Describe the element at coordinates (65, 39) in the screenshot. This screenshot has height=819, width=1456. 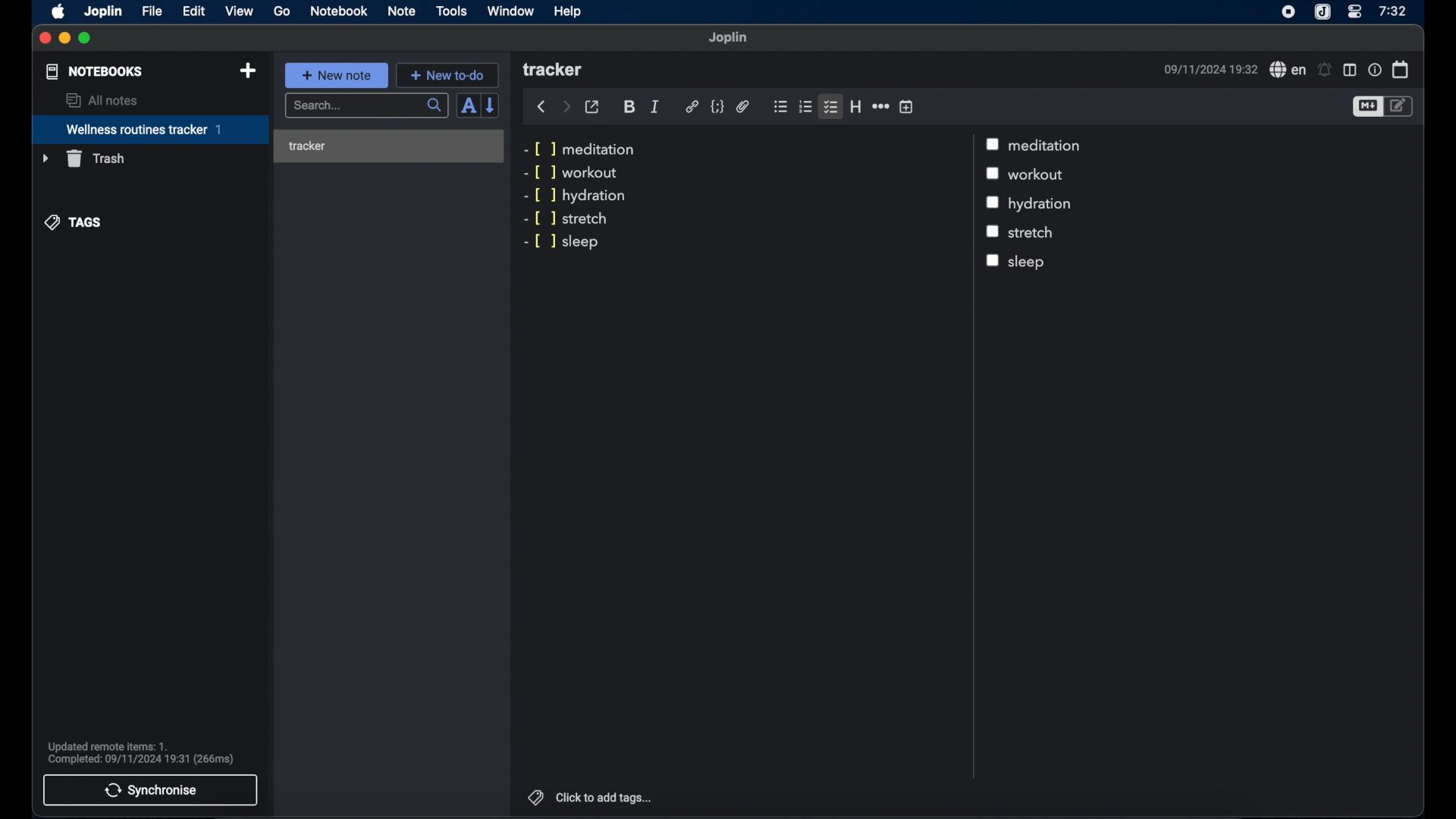
I see `minimize` at that location.